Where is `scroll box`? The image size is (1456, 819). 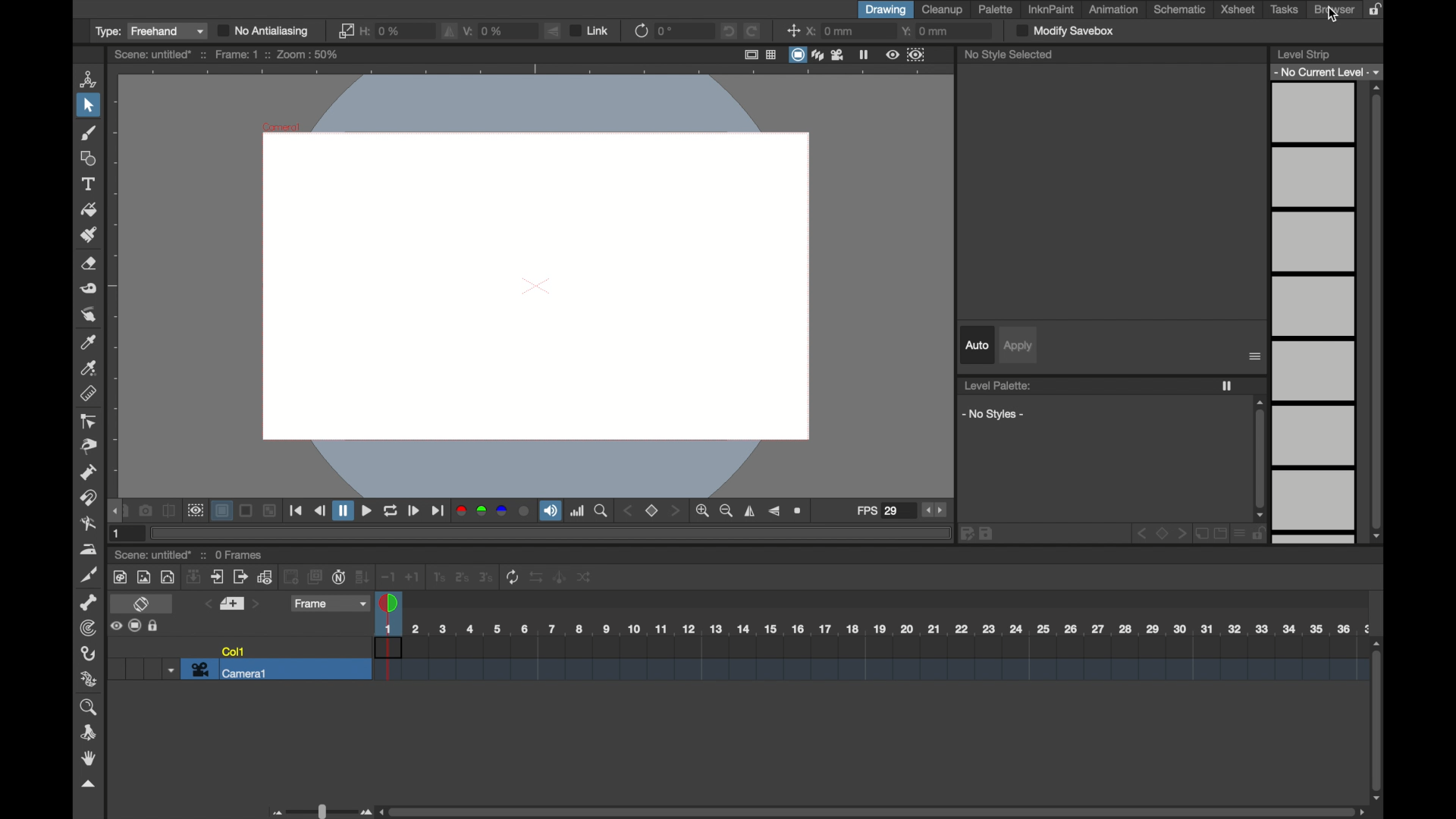 scroll box is located at coordinates (1378, 312).